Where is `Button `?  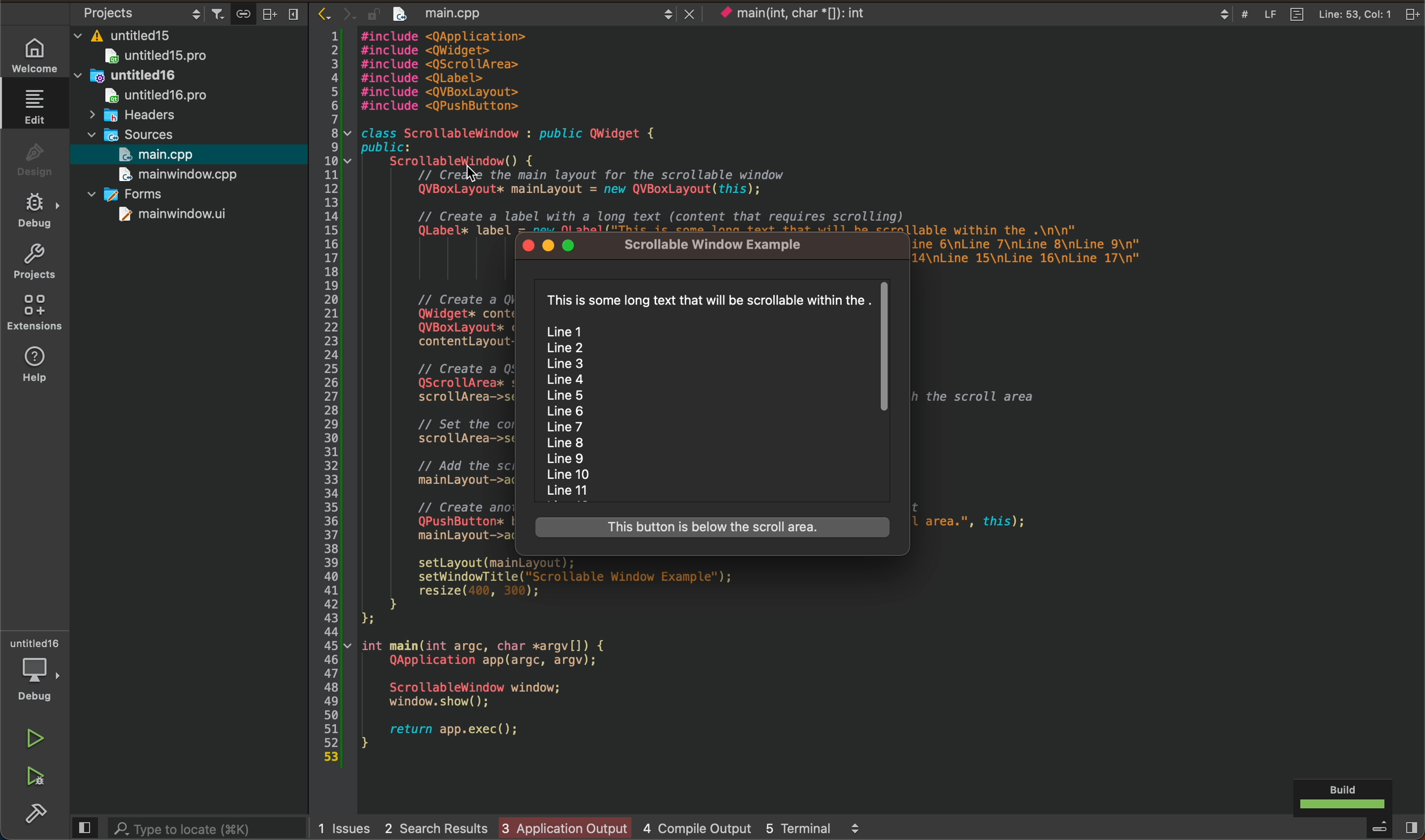
Button  is located at coordinates (713, 528).